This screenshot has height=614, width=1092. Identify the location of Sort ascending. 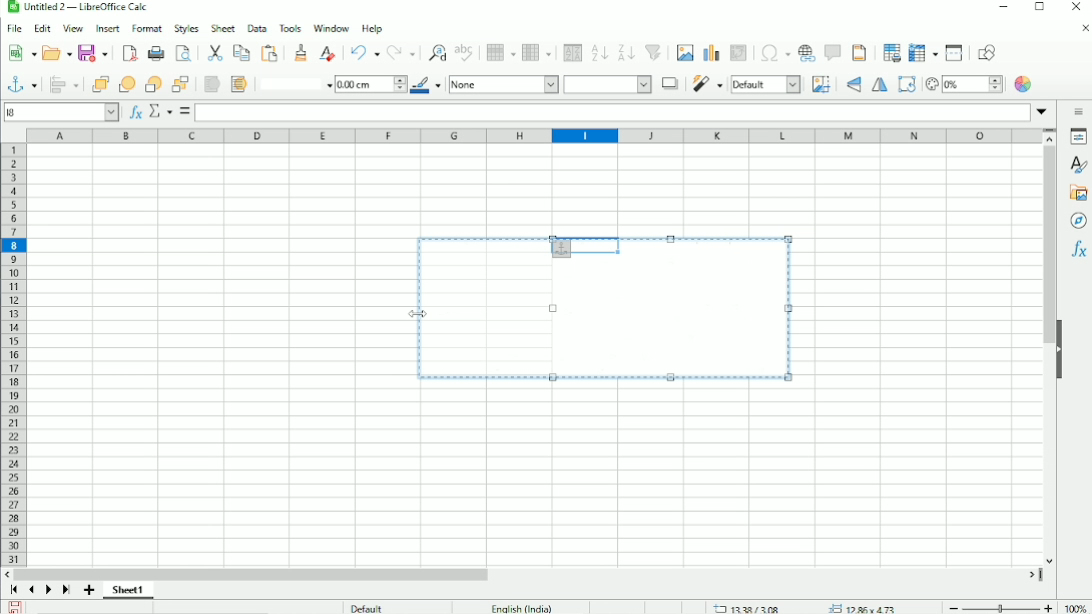
(599, 52).